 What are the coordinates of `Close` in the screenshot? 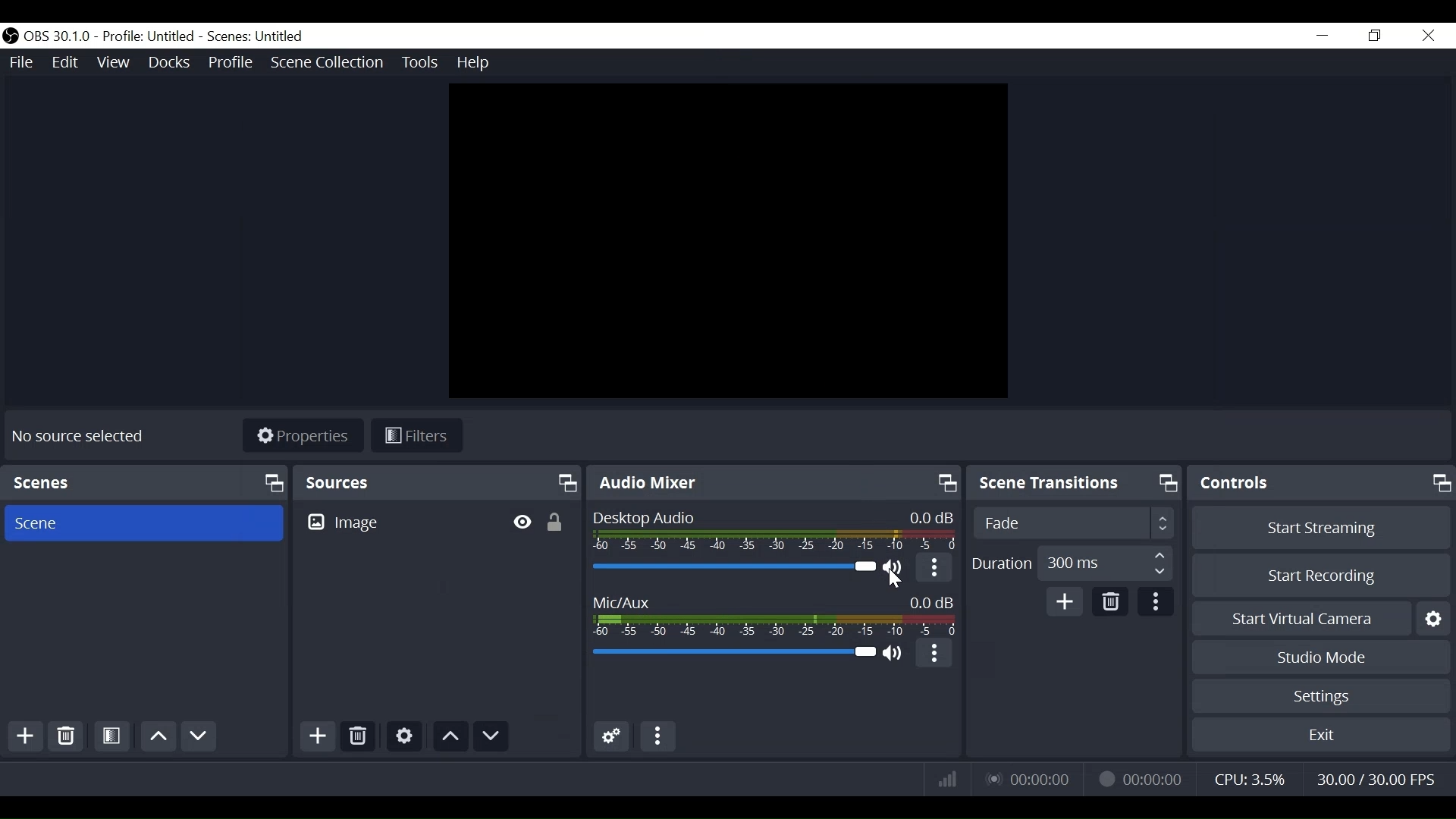 It's located at (1426, 36).